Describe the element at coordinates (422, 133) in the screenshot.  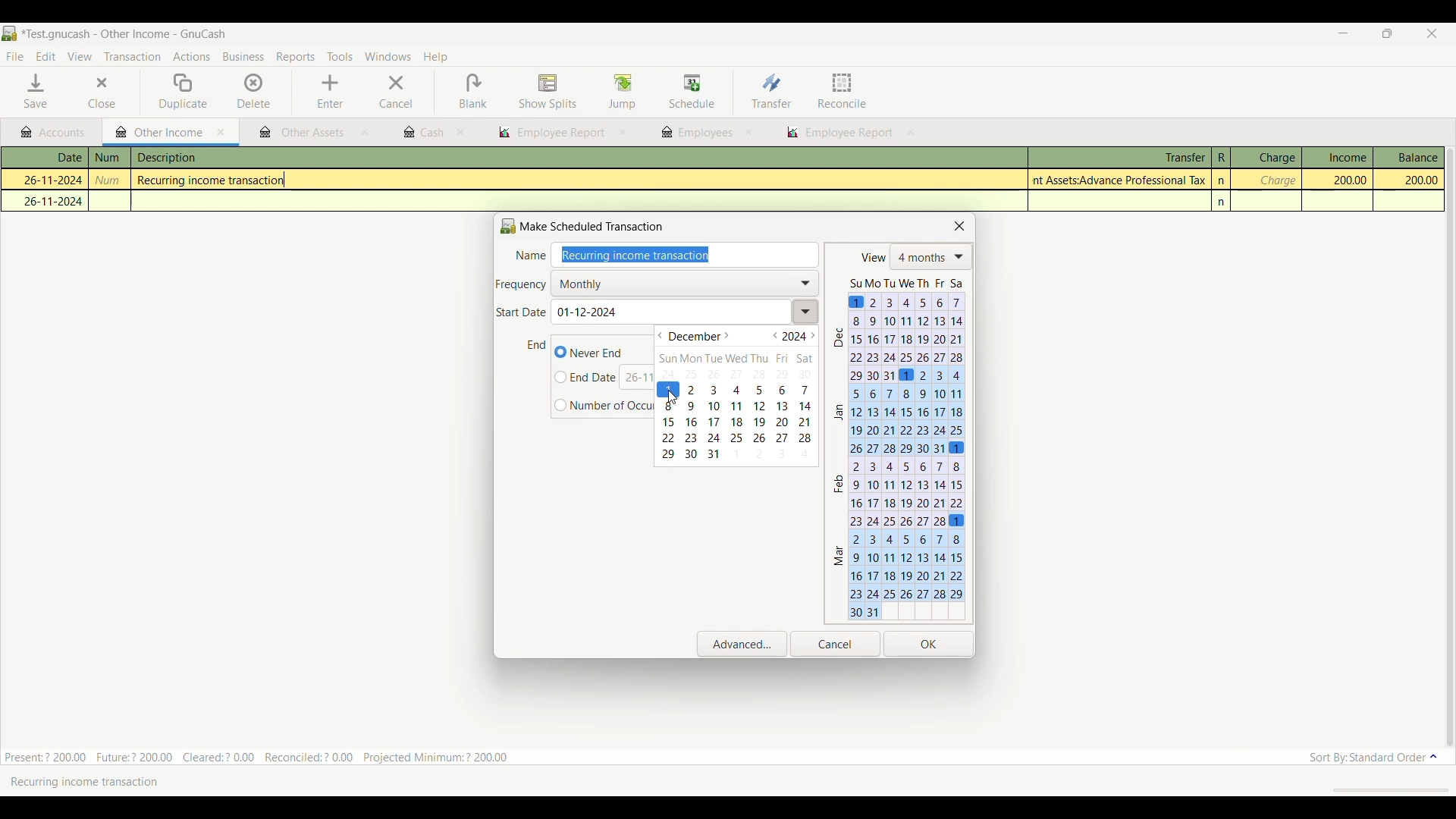
I see `cash` at that location.